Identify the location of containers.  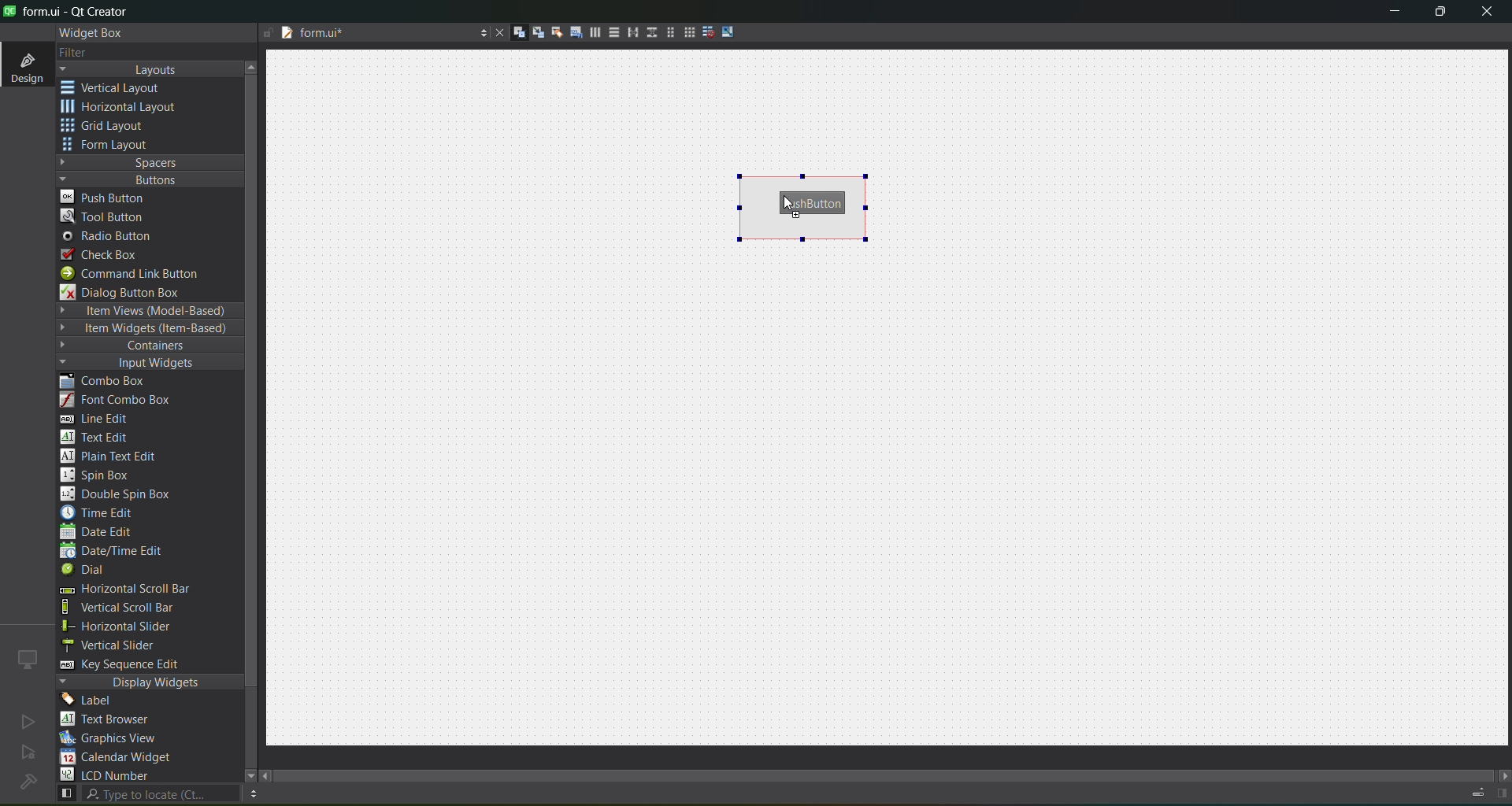
(142, 346).